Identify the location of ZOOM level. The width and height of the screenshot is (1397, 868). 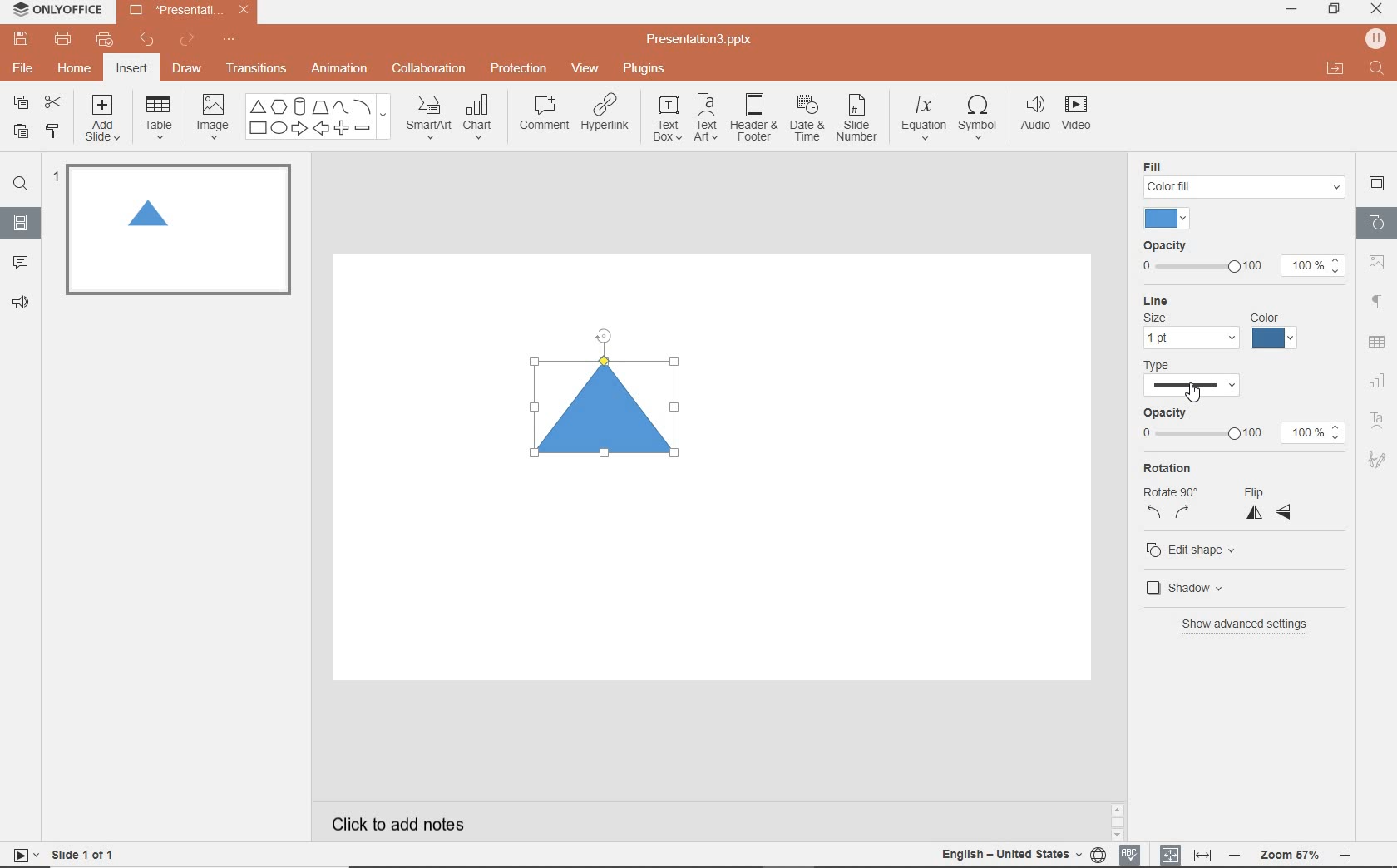
(1291, 856).